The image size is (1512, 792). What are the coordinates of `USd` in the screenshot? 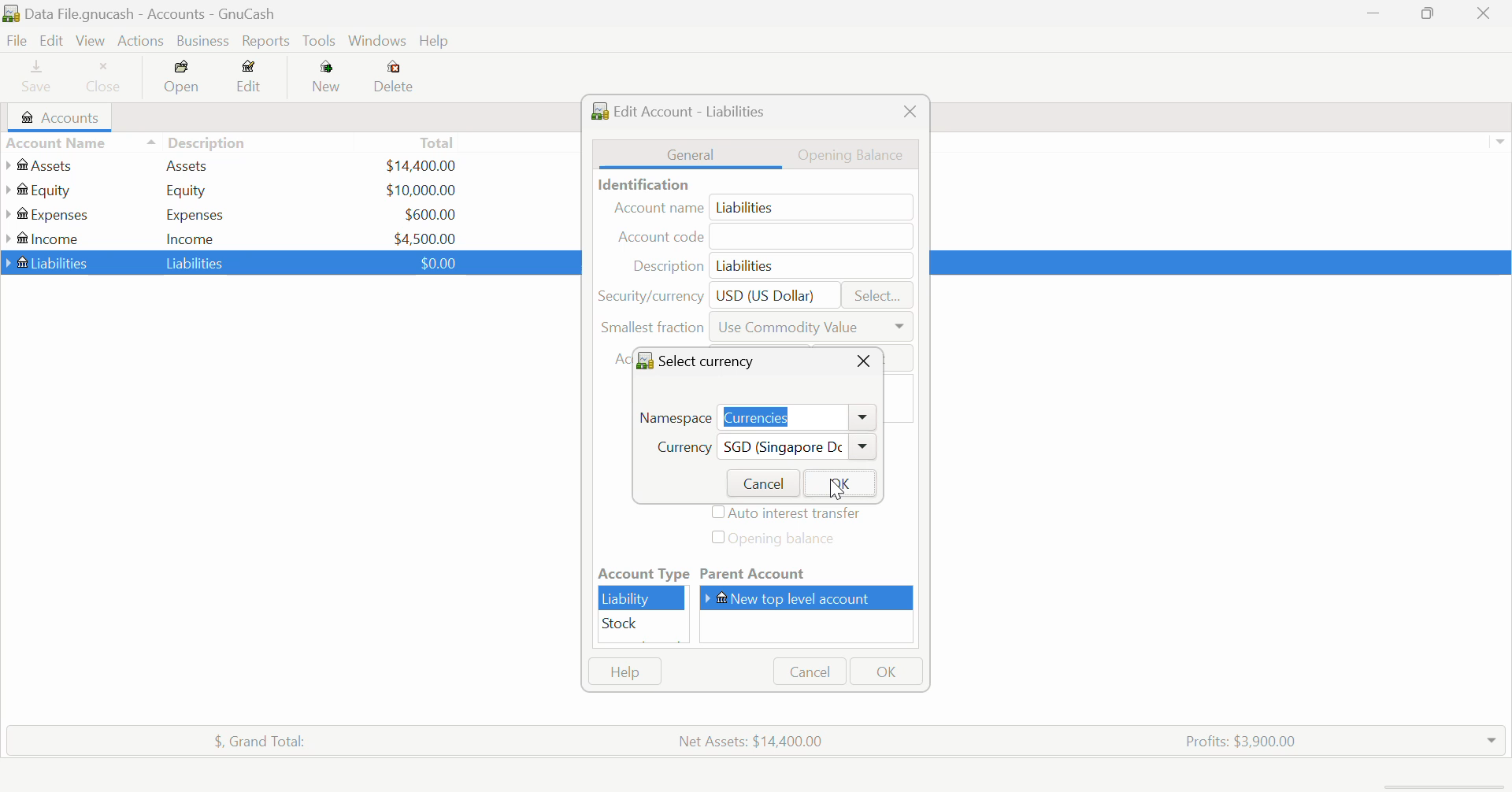 It's located at (420, 164).